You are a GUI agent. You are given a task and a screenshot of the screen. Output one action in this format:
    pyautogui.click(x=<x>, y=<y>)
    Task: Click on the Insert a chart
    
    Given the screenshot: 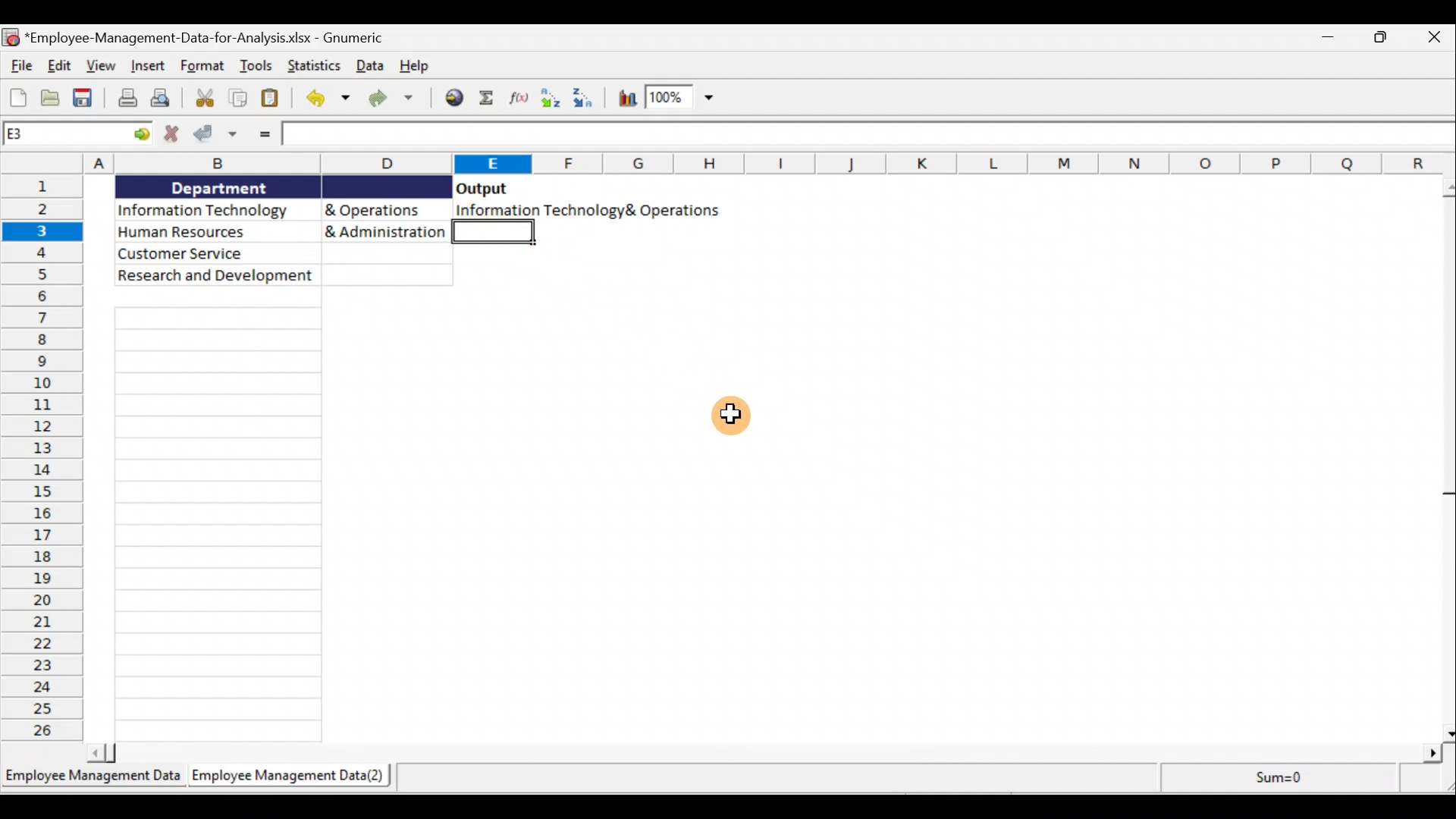 What is the action you would take?
    pyautogui.click(x=626, y=99)
    